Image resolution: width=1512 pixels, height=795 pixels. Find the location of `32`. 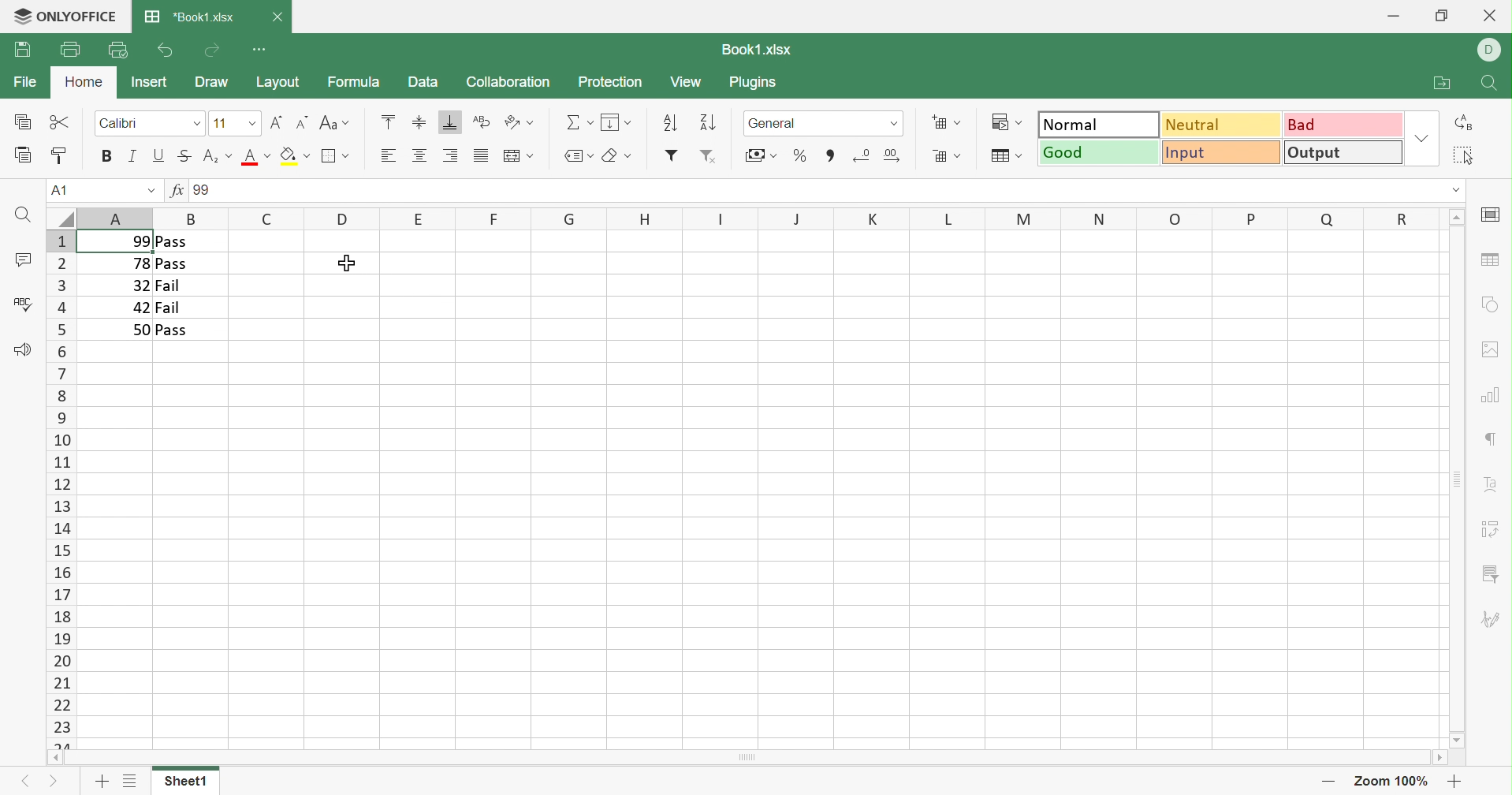

32 is located at coordinates (138, 286).